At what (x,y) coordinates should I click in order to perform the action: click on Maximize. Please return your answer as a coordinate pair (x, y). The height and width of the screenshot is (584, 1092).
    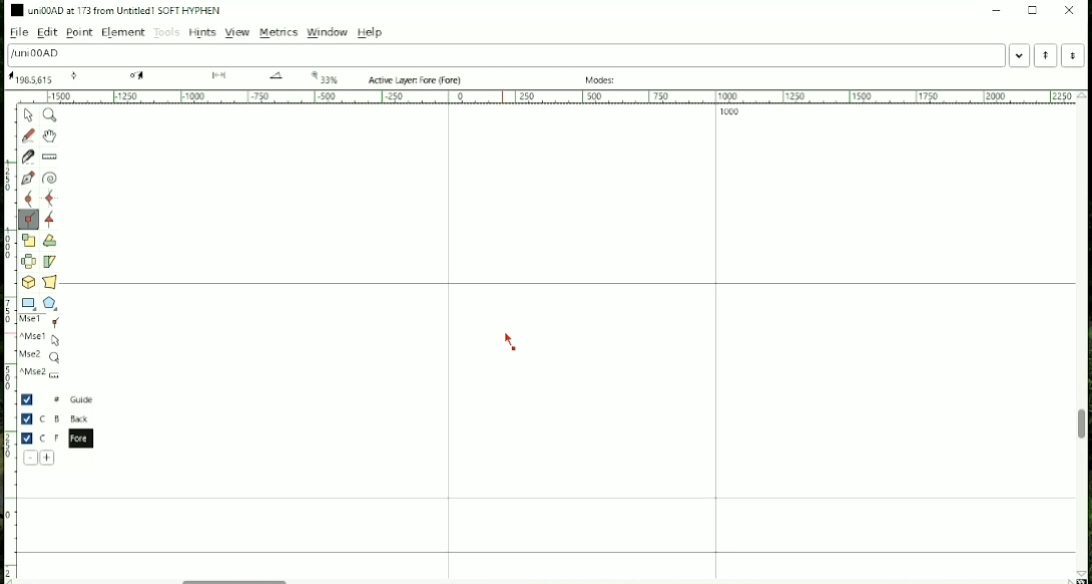
    Looking at the image, I should click on (1033, 10).